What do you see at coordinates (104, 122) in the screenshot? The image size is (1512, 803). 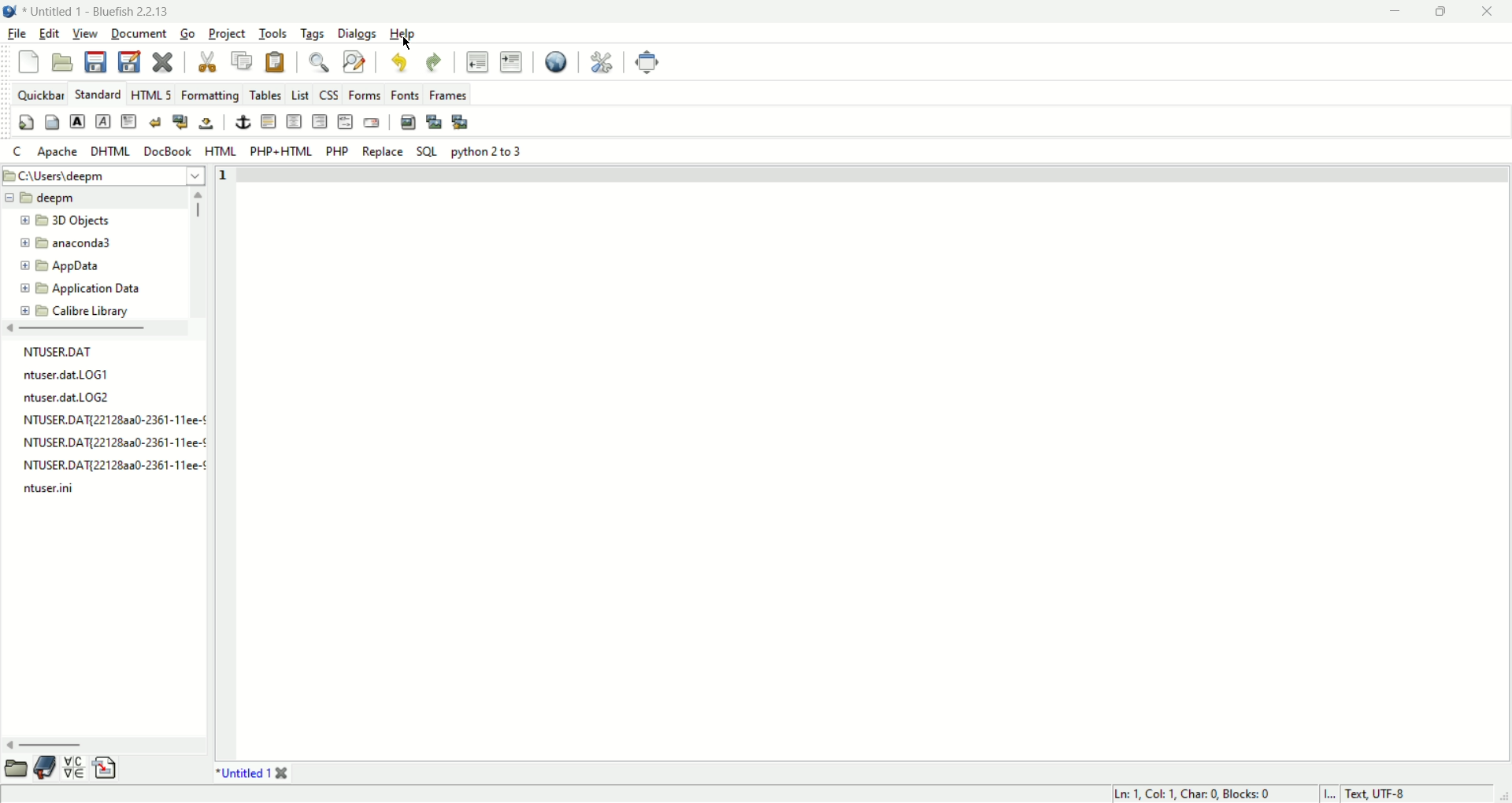 I see `emphasis` at bounding box center [104, 122].